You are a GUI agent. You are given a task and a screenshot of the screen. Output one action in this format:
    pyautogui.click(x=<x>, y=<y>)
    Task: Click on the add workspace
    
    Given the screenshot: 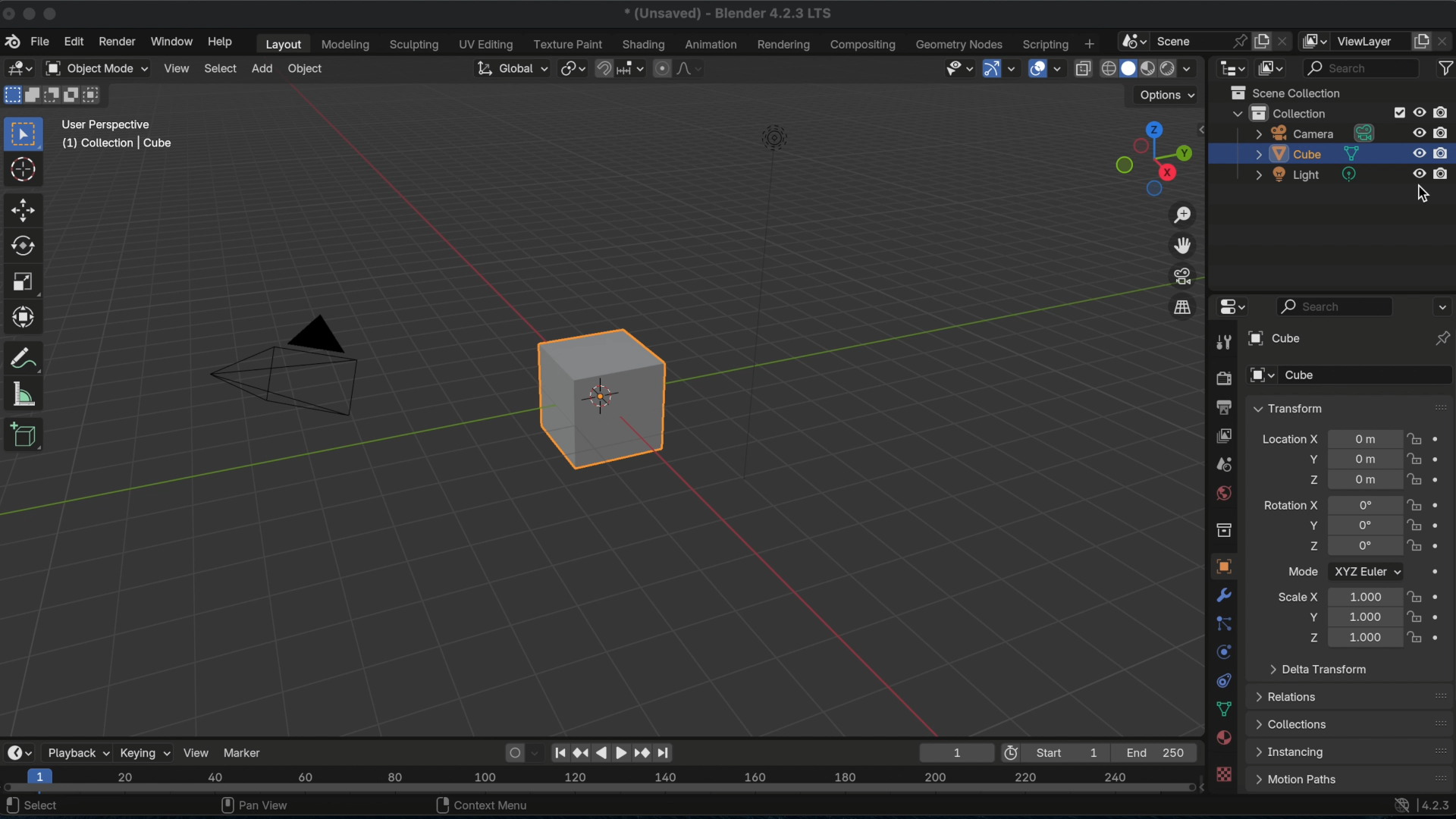 What is the action you would take?
    pyautogui.click(x=1090, y=42)
    